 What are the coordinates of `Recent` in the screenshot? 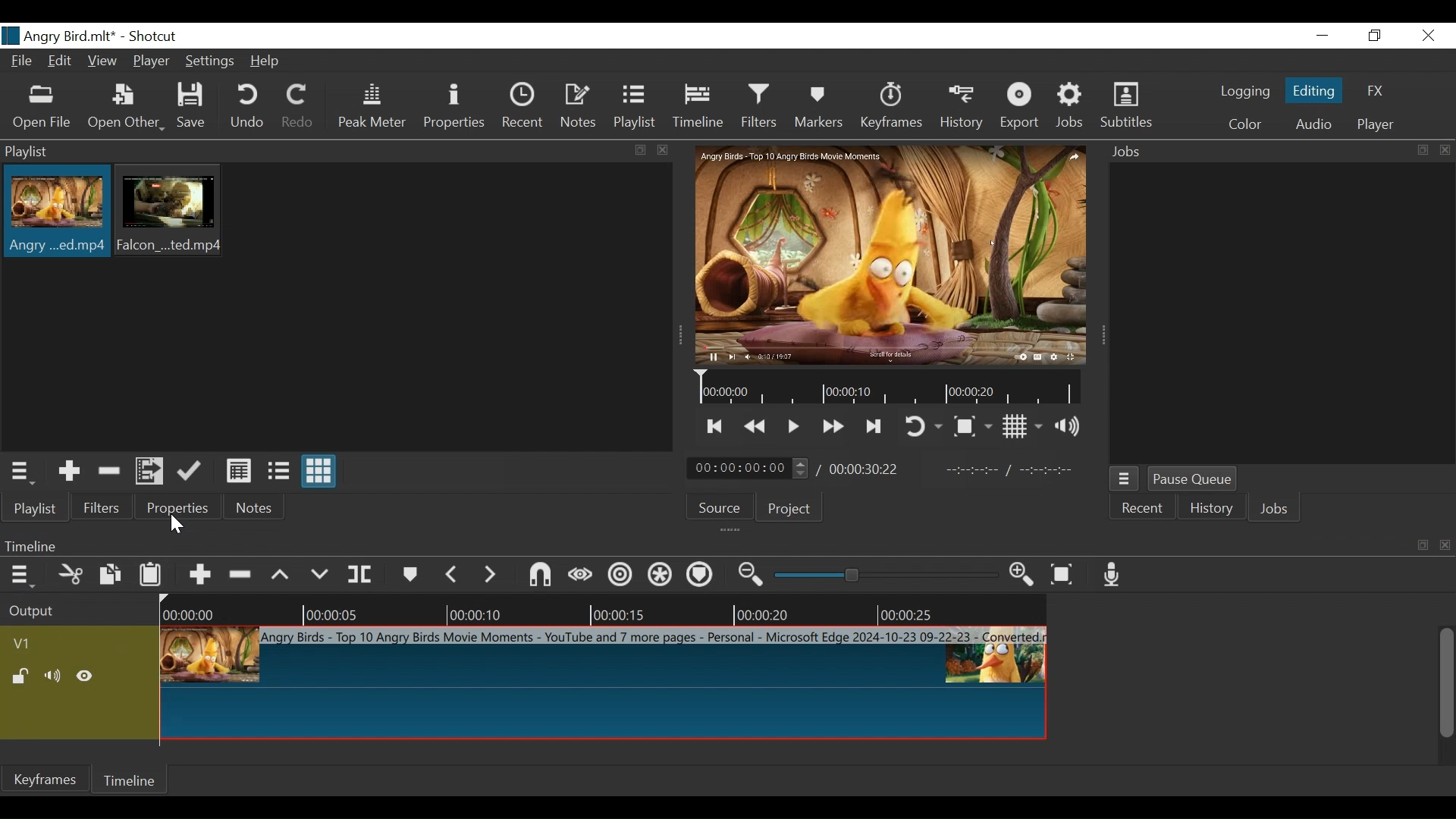 It's located at (1143, 507).